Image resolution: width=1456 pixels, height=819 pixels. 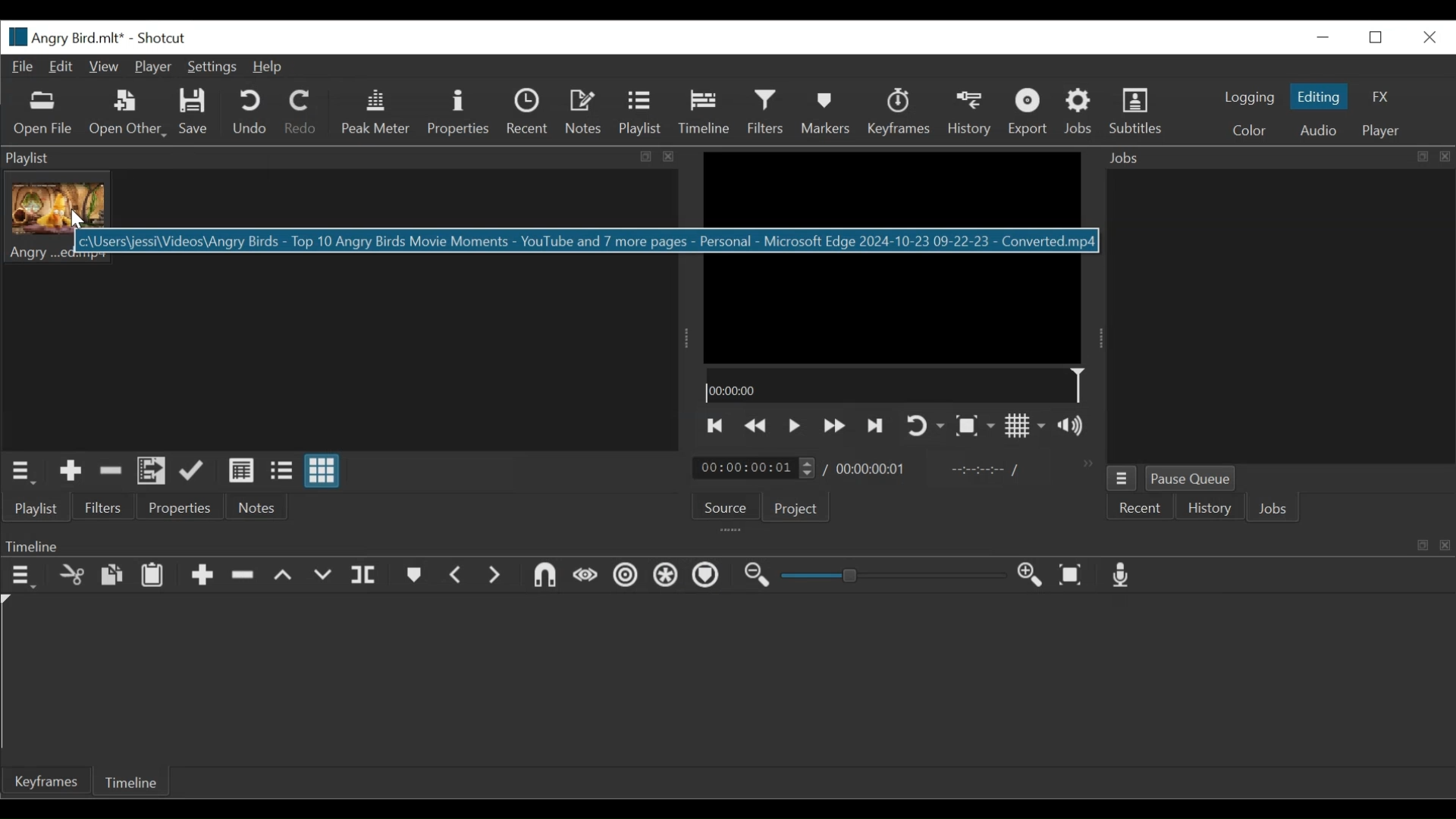 I want to click on Playlist Panel, so click(x=340, y=158).